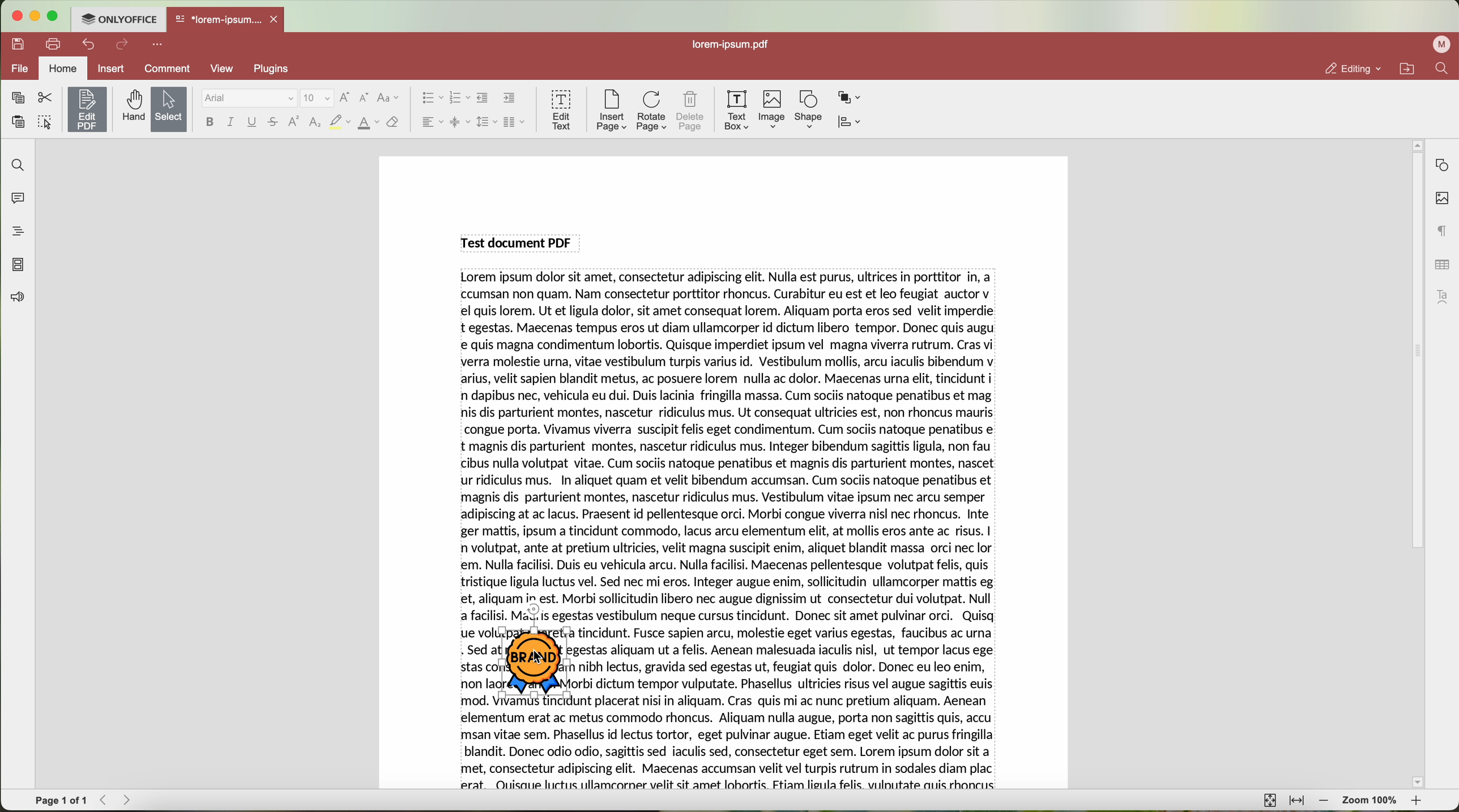  Describe the element at coordinates (344, 97) in the screenshot. I see `increment font size` at that location.